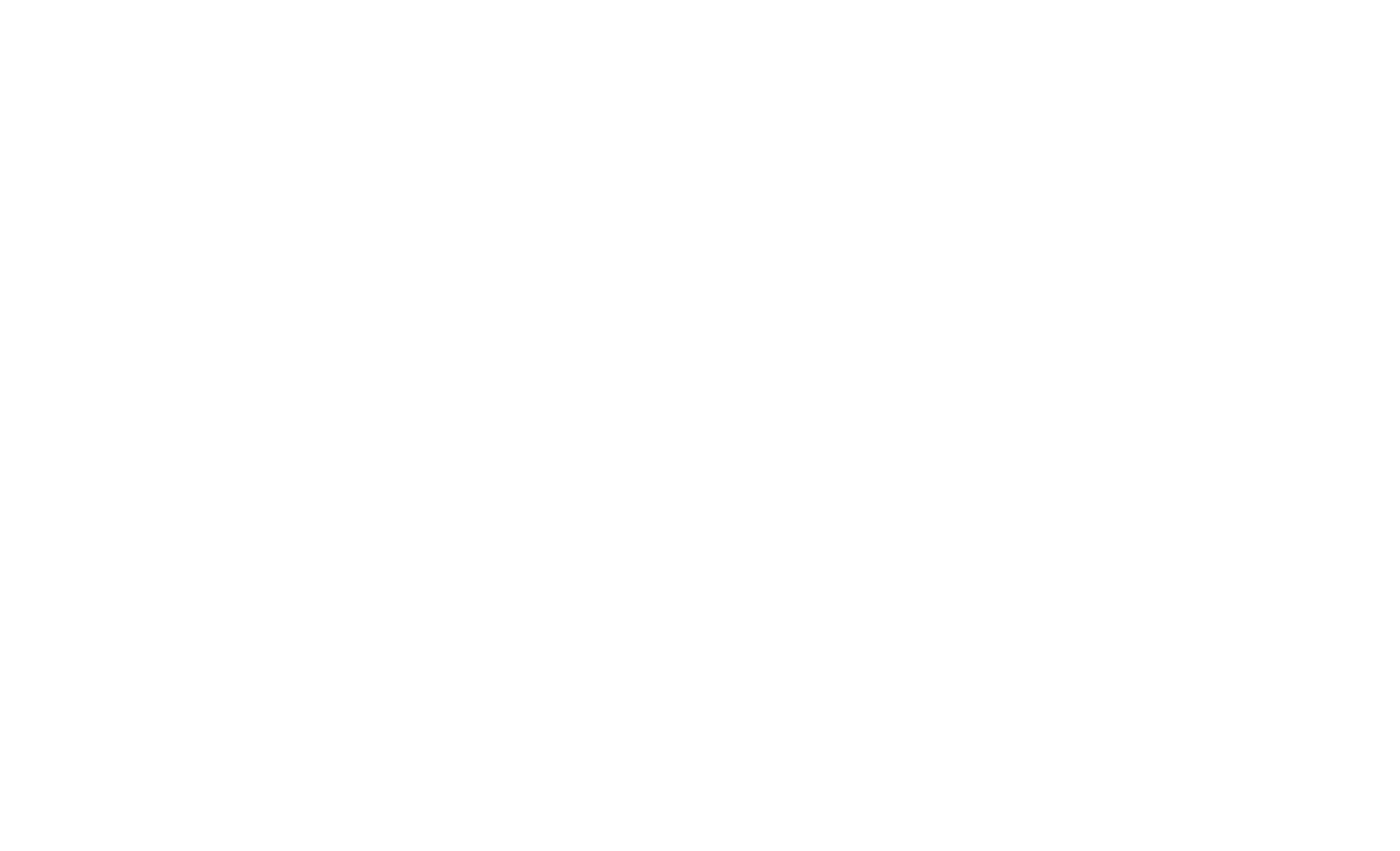  I want to click on Duration, so click(1032, 626).